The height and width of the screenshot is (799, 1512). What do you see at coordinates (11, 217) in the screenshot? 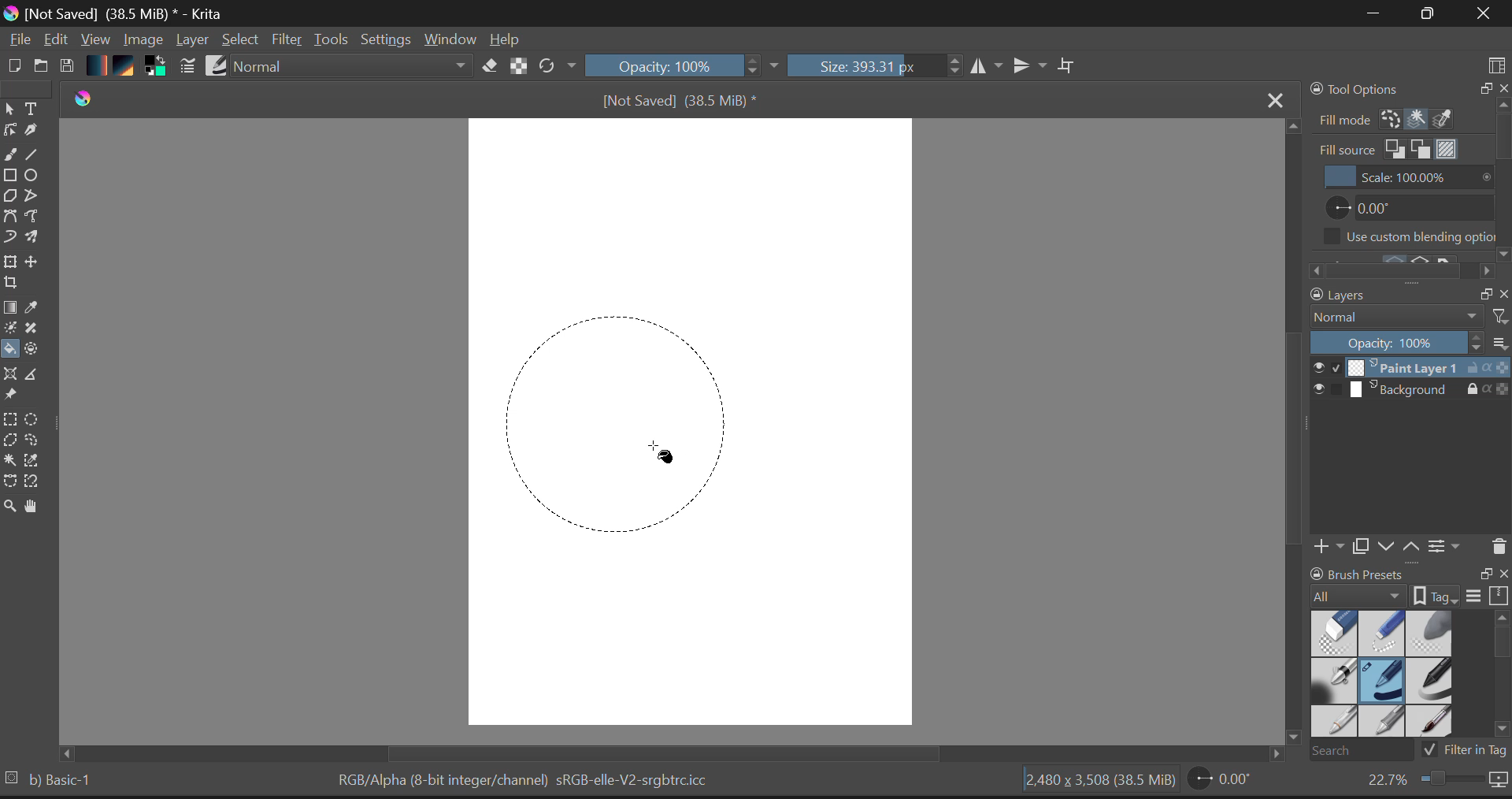
I see `Bezier Curve` at bounding box center [11, 217].